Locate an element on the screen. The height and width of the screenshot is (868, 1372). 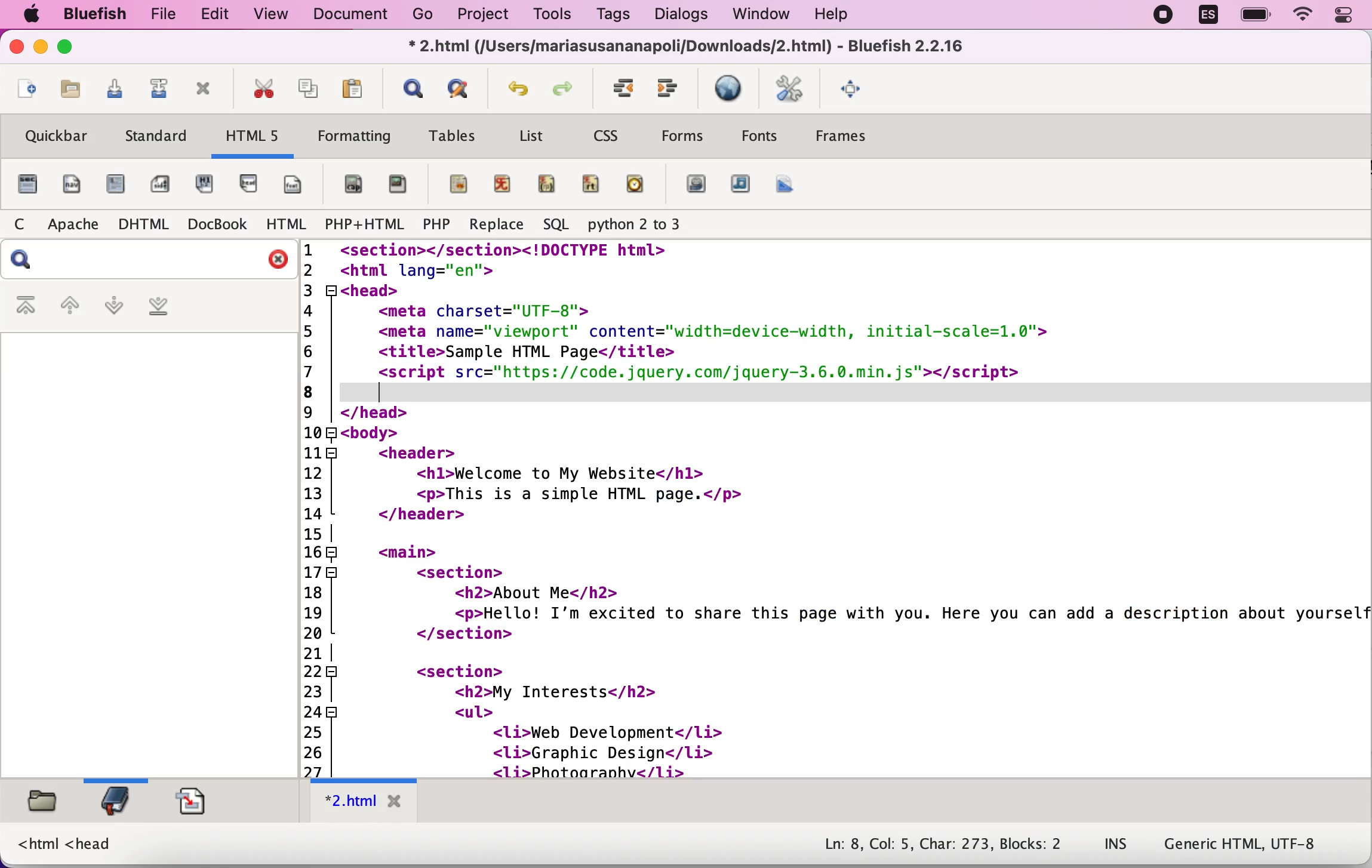
cut is located at coordinates (265, 90).